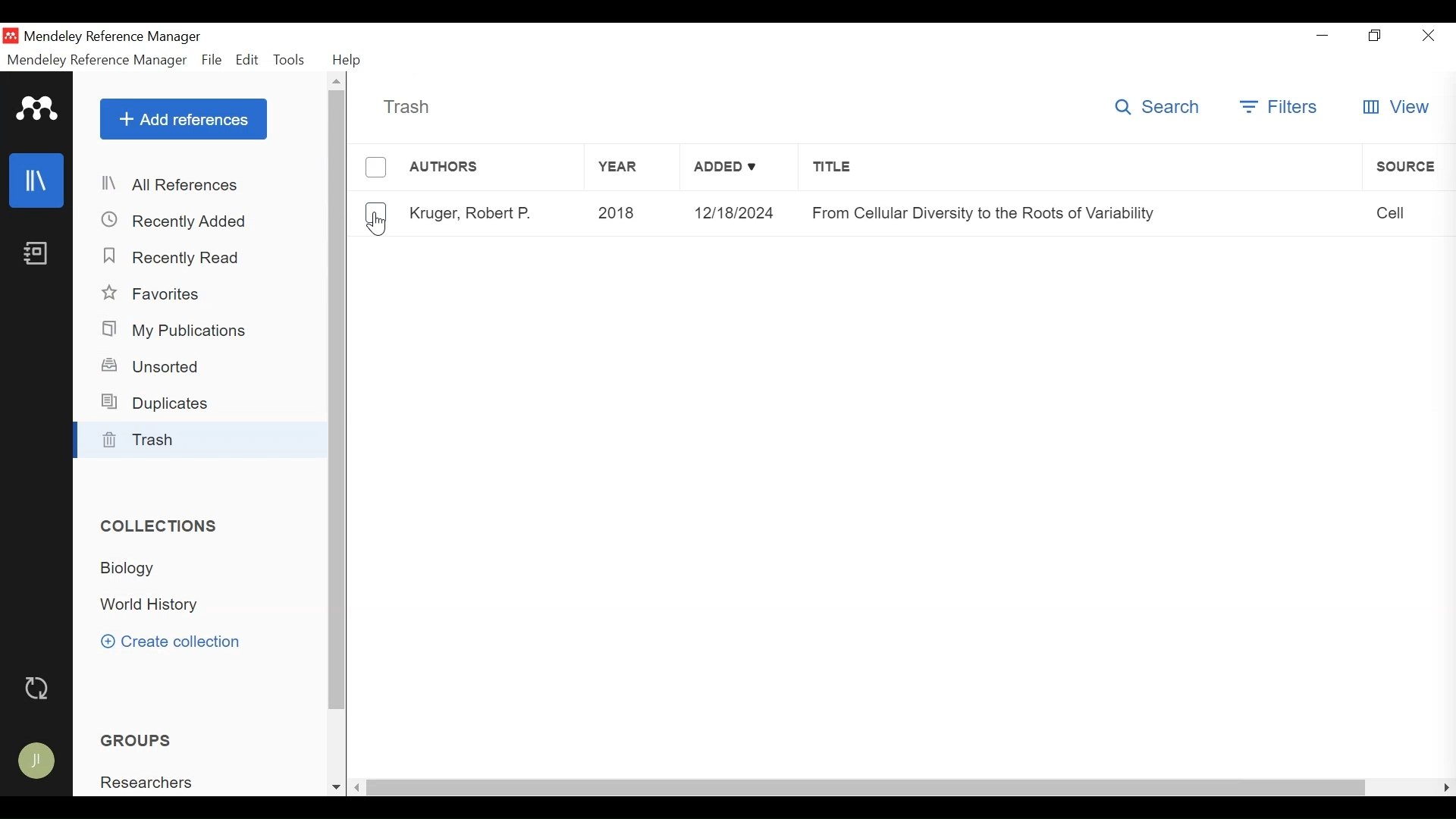  Describe the element at coordinates (154, 783) in the screenshot. I see `Researchers` at that location.